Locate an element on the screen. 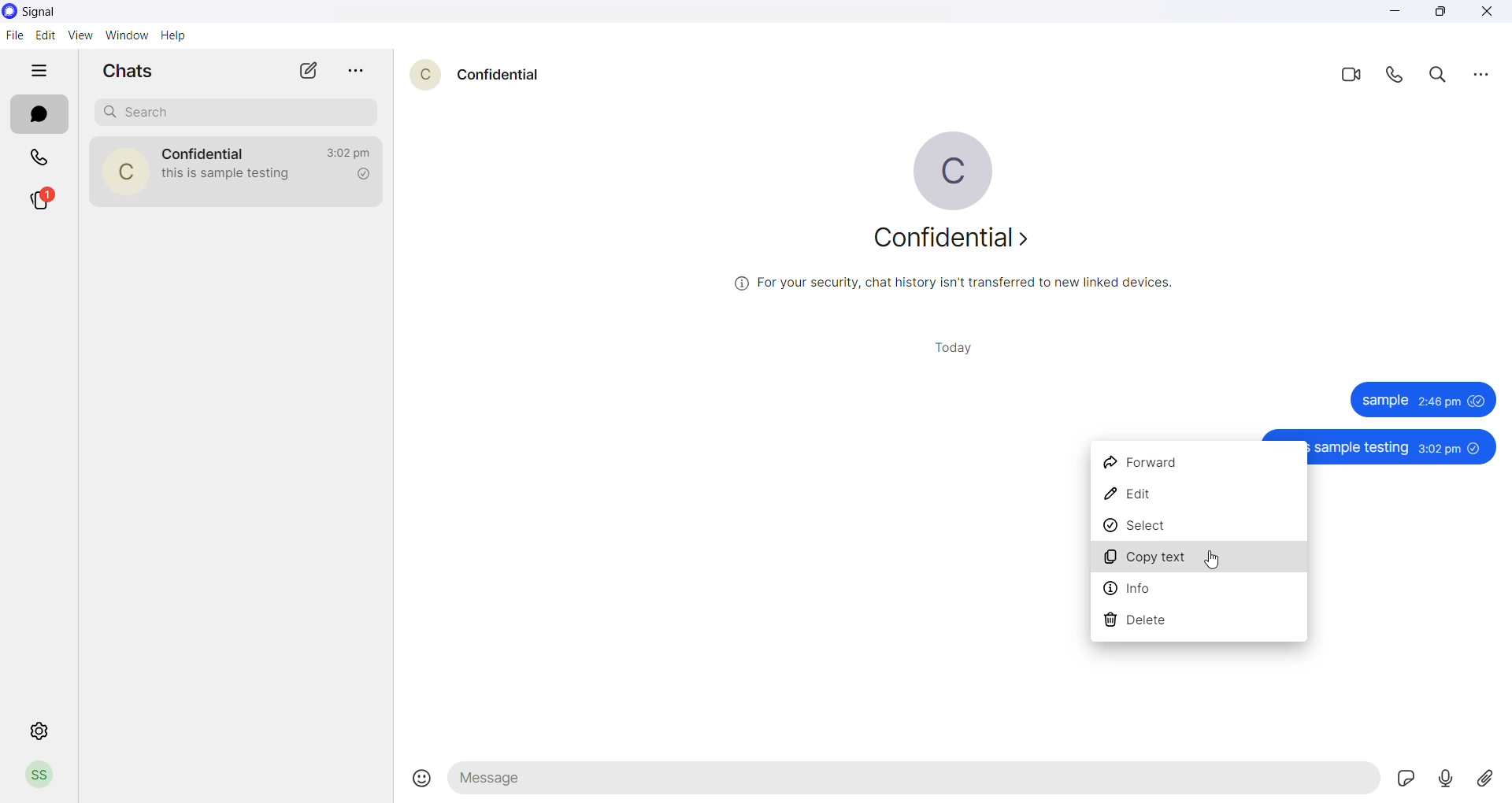 The height and width of the screenshot is (803, 1512). cursor is located at coordinates (1210, 557).